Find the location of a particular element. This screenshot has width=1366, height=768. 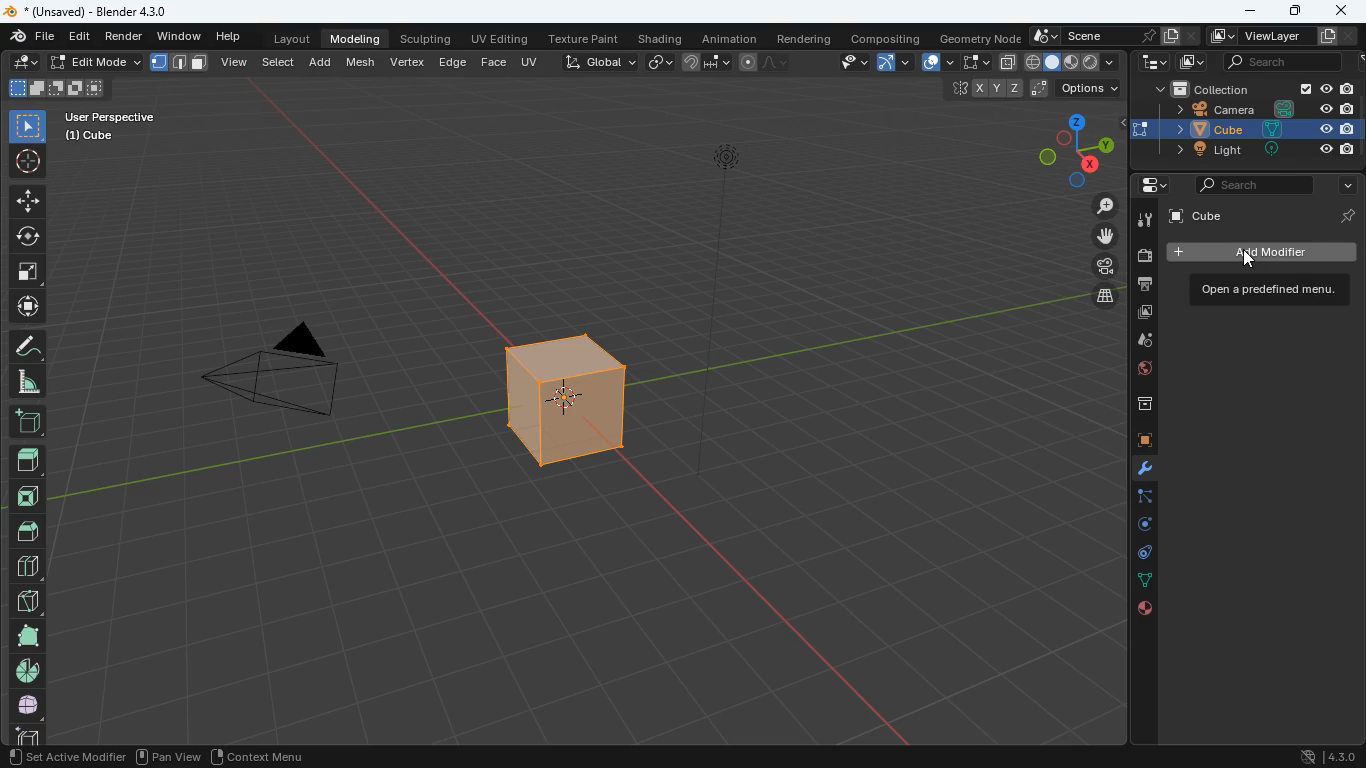

tecch is located at coordinates (1152, 62).